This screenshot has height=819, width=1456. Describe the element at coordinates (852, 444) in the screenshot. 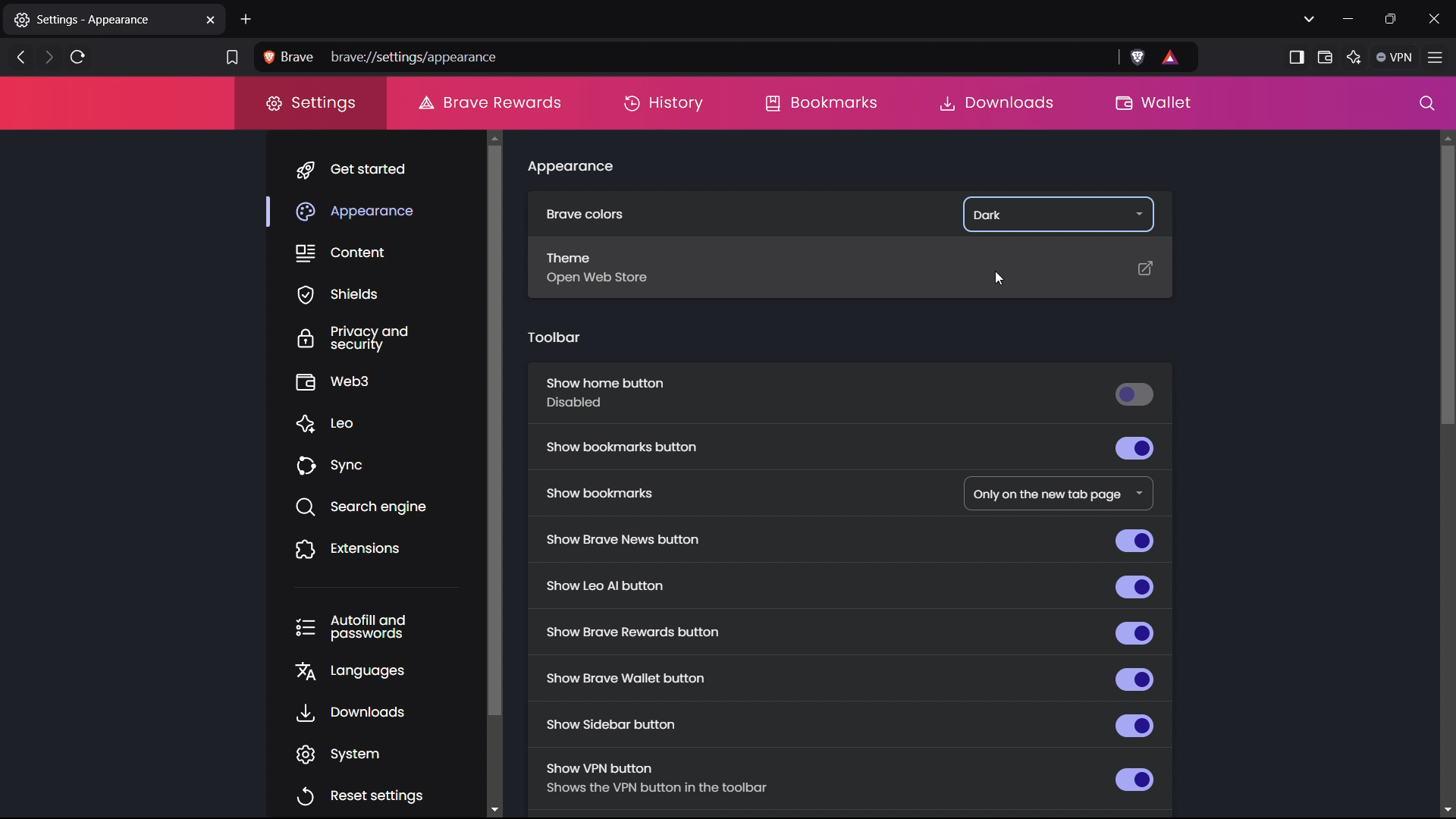

I see `show bookmarks button` at that location.